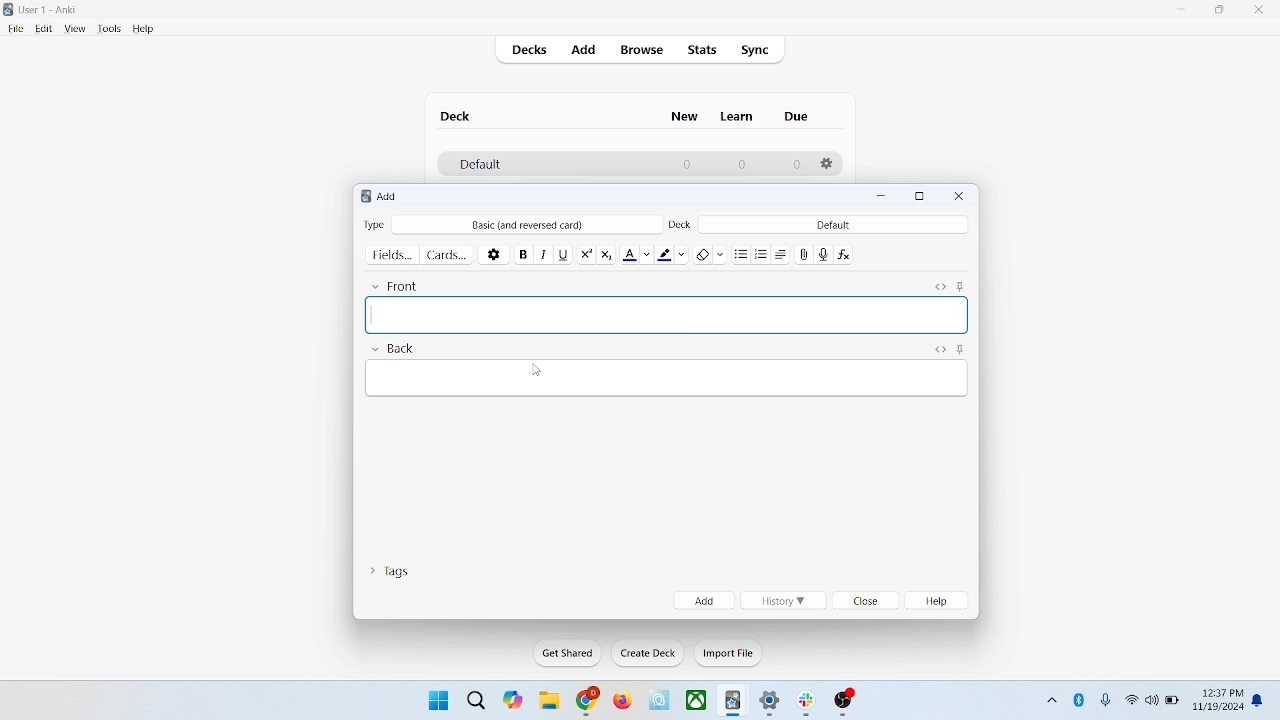 Image resolution: width=1280 pixels, height=720 pixels. Describe the element at coordinates (15, 29) in the screenshot. I see `file` at that location.